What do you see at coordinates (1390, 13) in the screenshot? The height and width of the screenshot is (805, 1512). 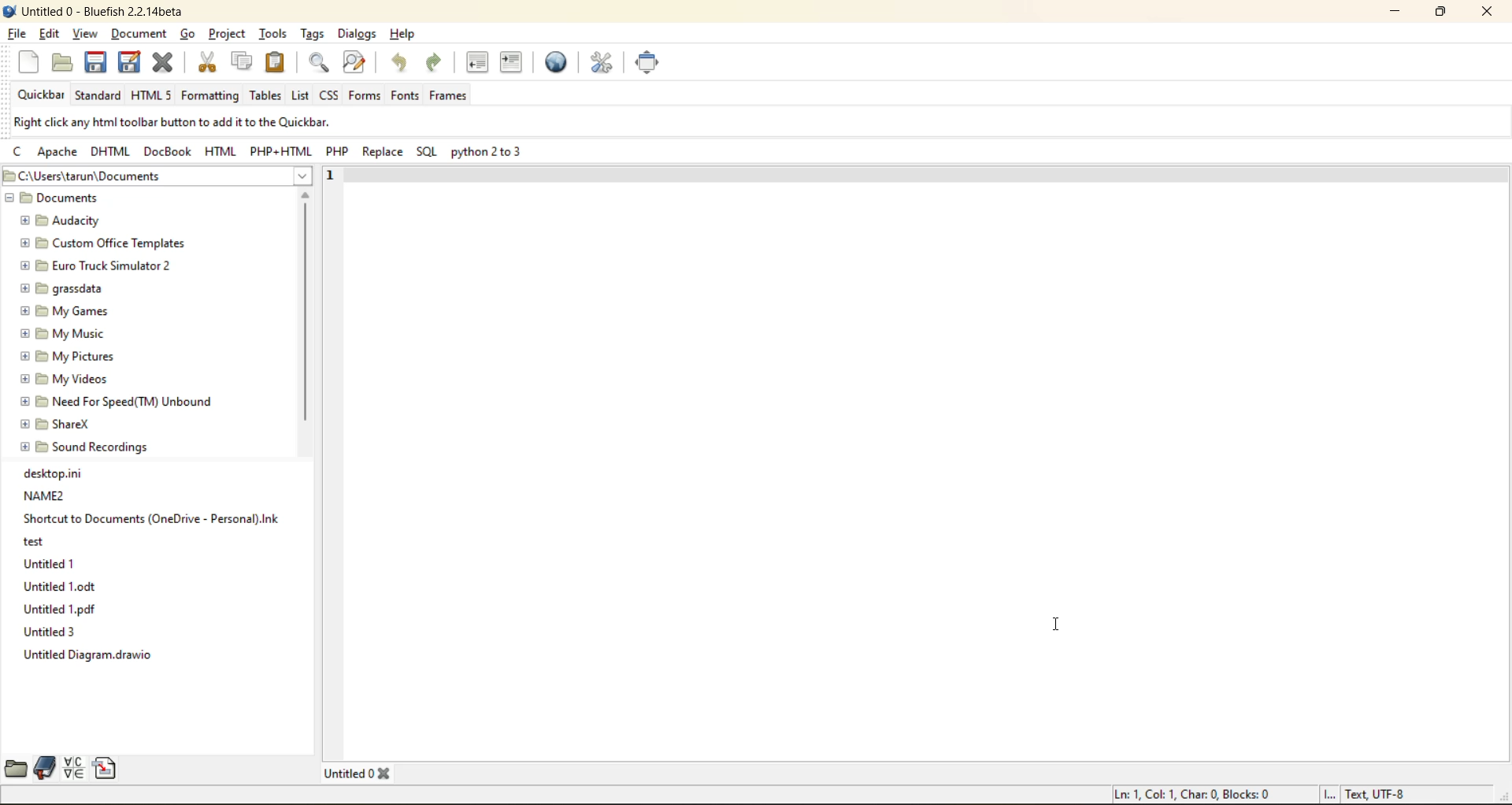 I see `minimize` at bounding box center [1390, 13].